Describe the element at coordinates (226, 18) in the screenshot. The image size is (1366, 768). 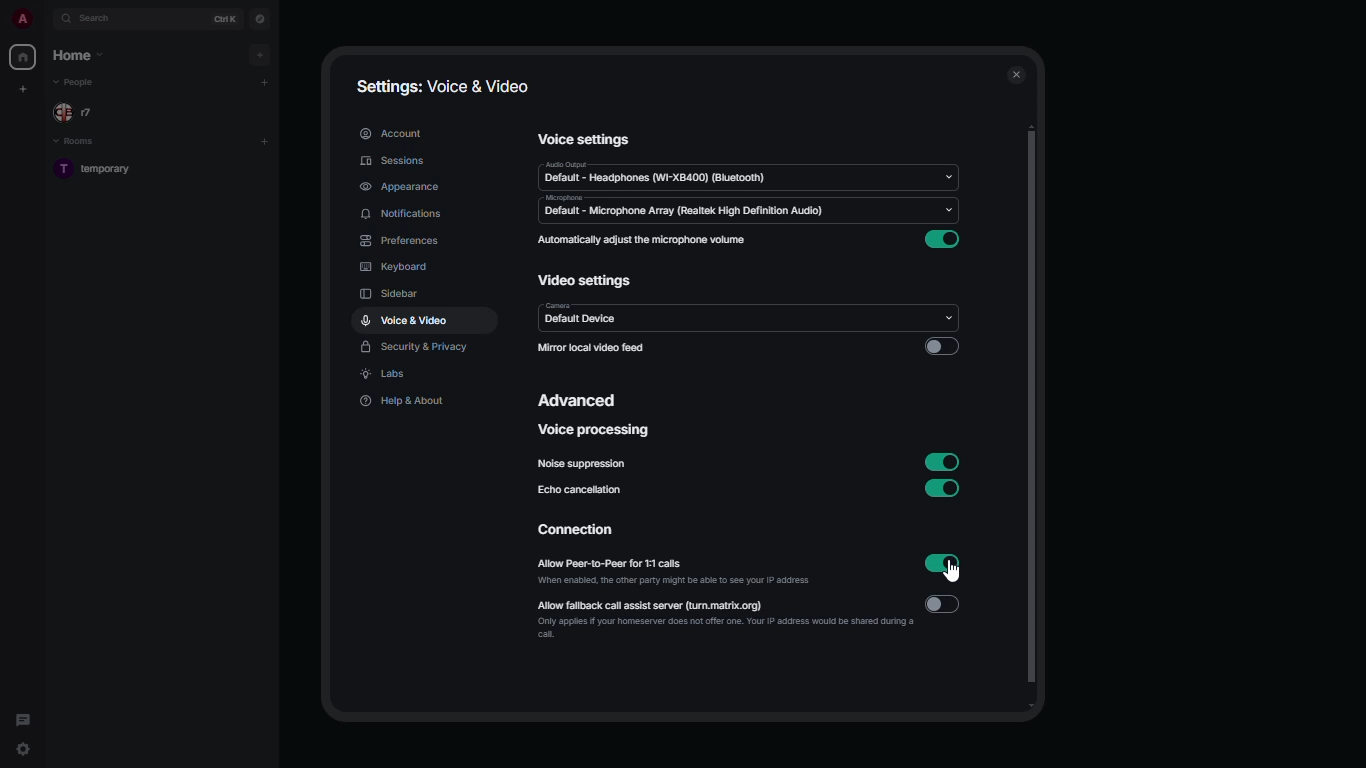
I see `ctrl K` at that location.